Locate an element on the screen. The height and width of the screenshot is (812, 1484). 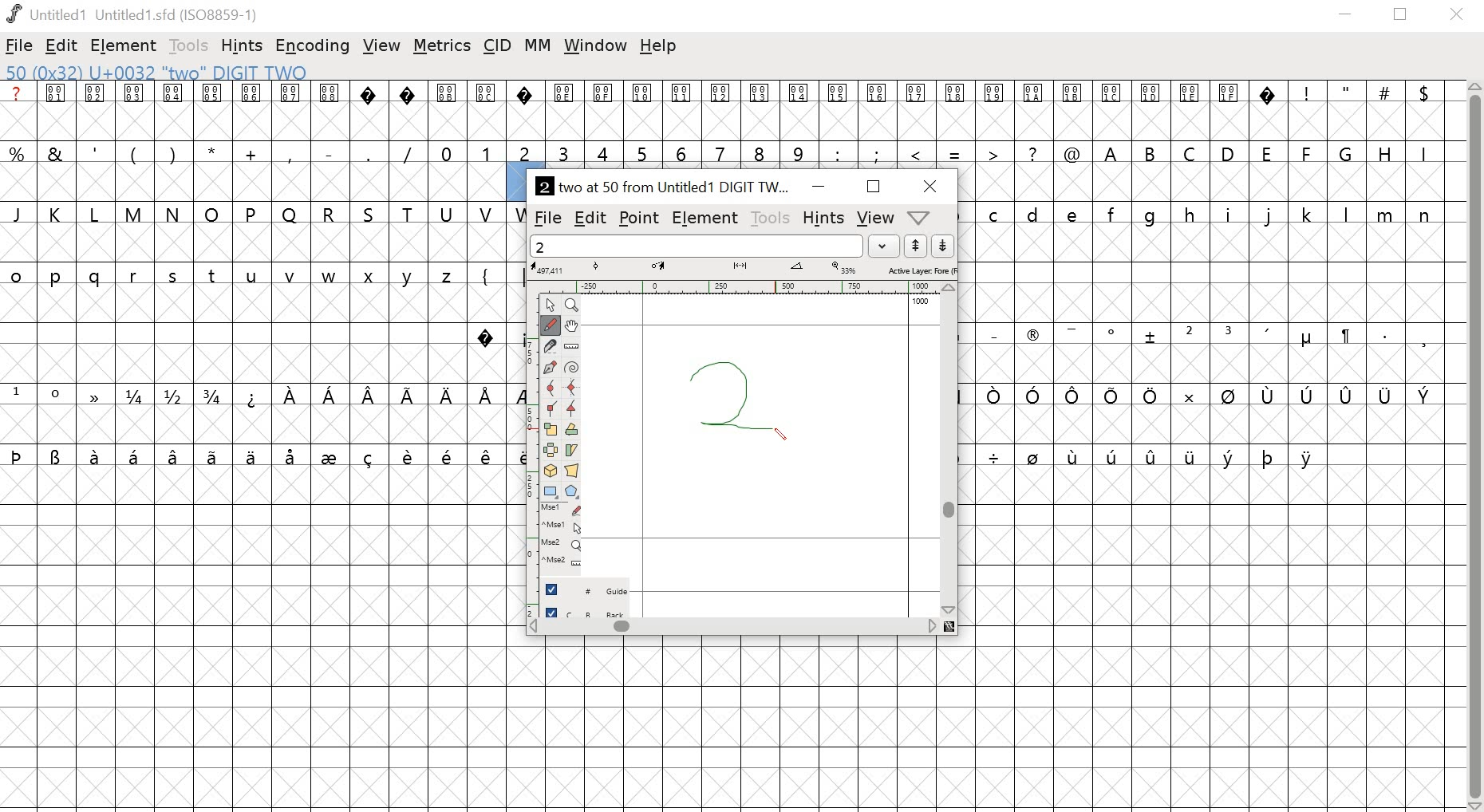
word list field is located at coordinates (697, 246).